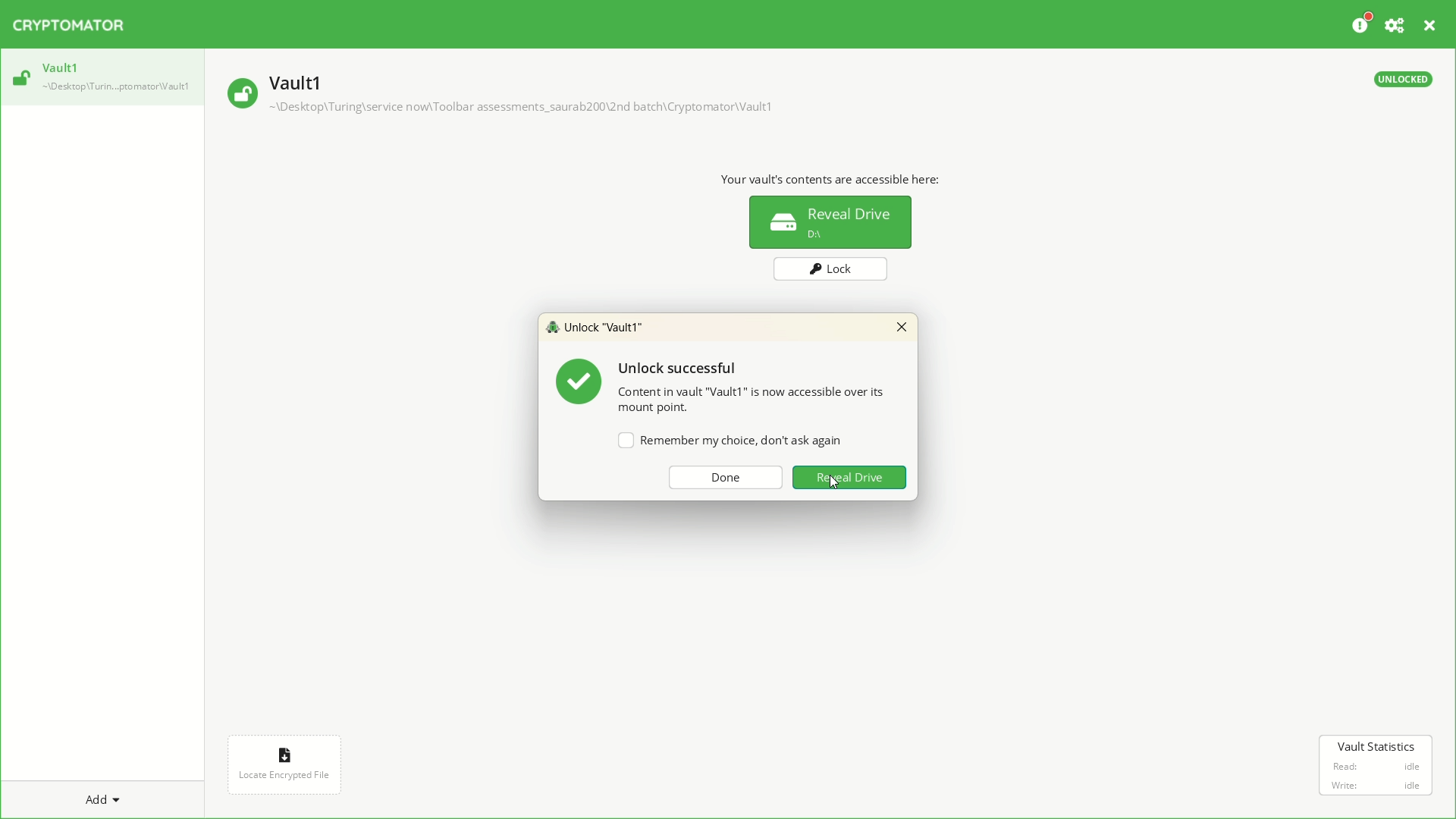  I want to click on lock, so click(829, 271).